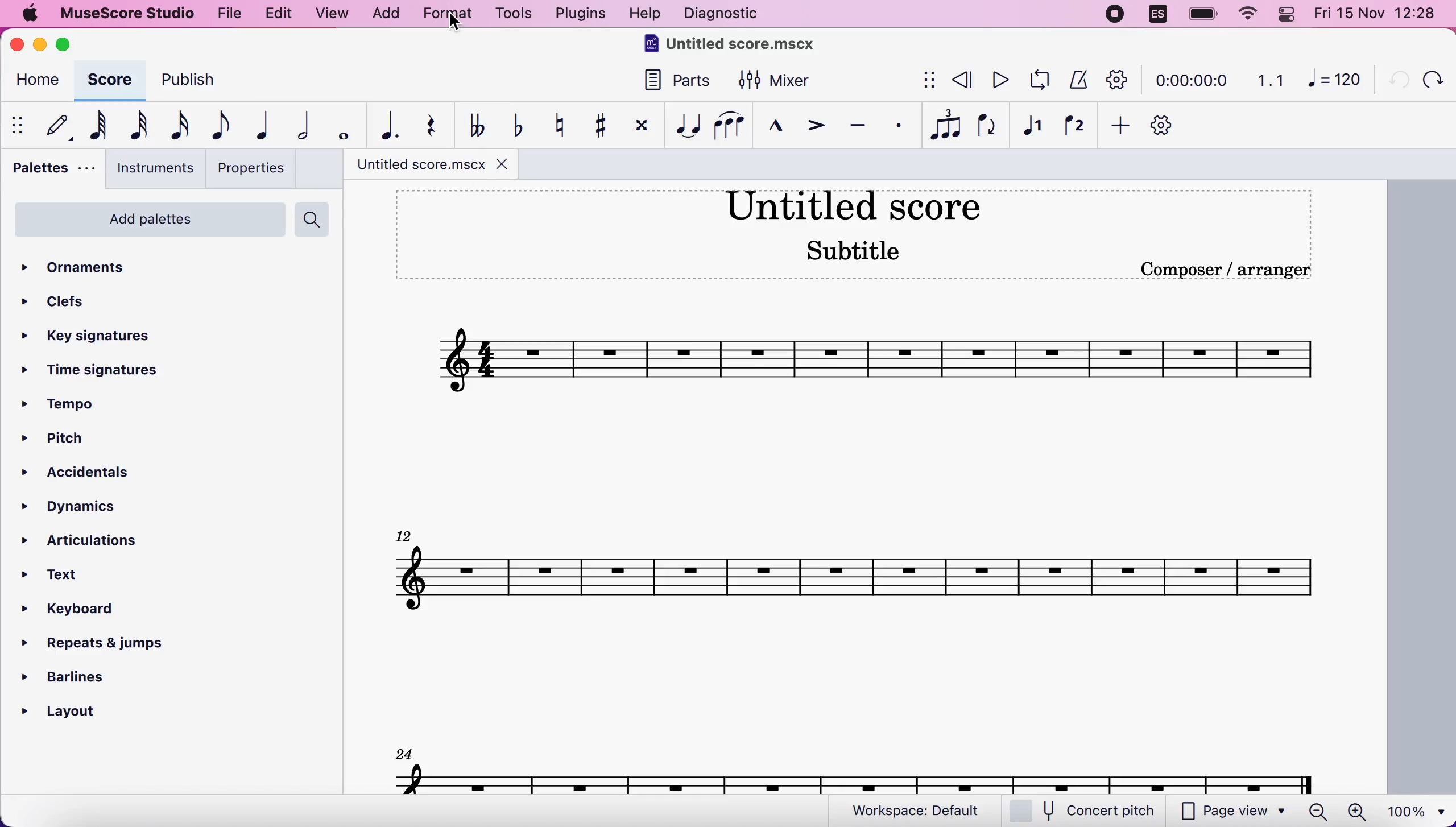 The height and width of the screenshot is (827, 1456). I want to click on recording stopped, so click(1116, 15).